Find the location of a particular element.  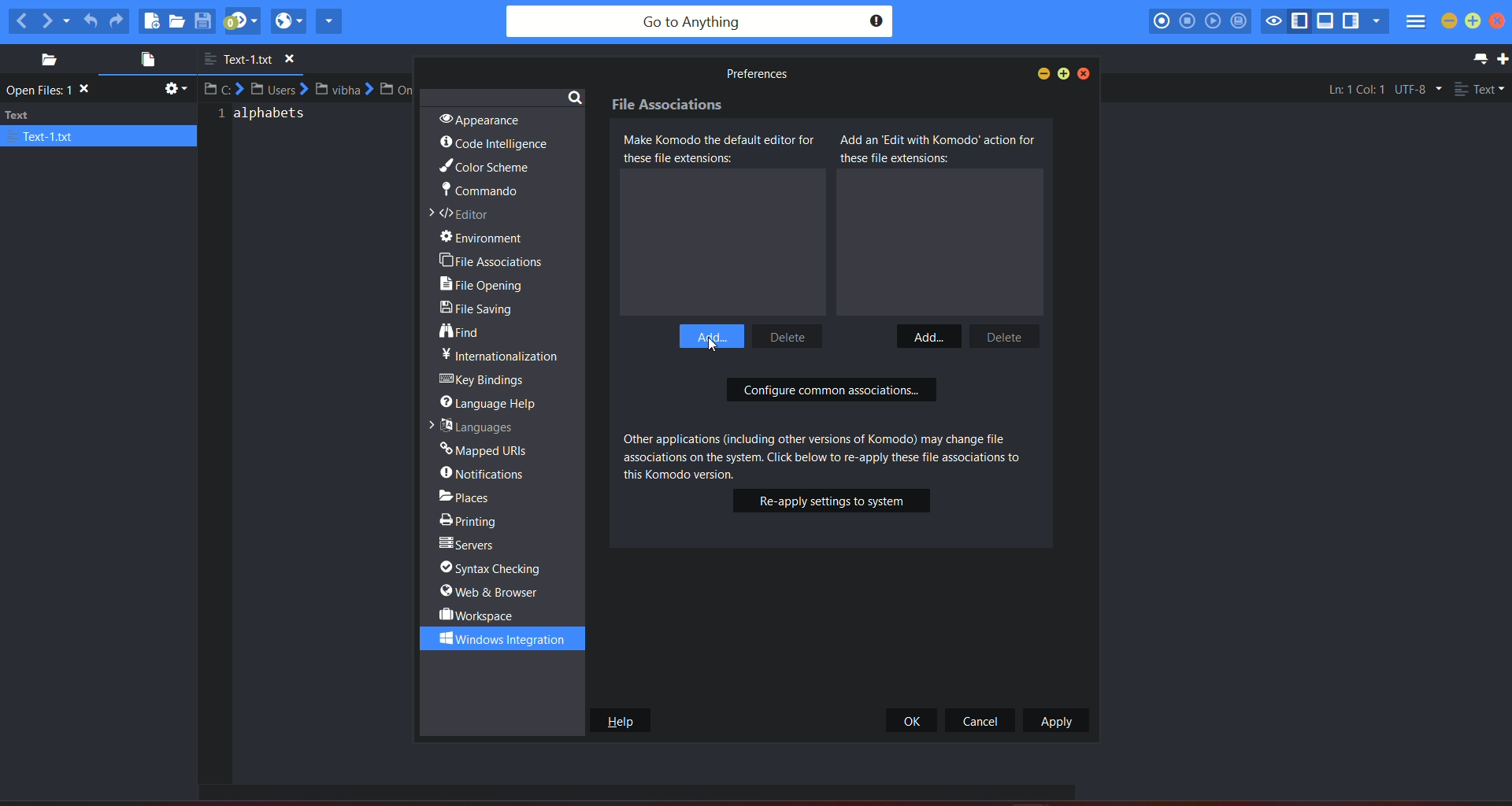

environment is located at coordinates (491, 238).